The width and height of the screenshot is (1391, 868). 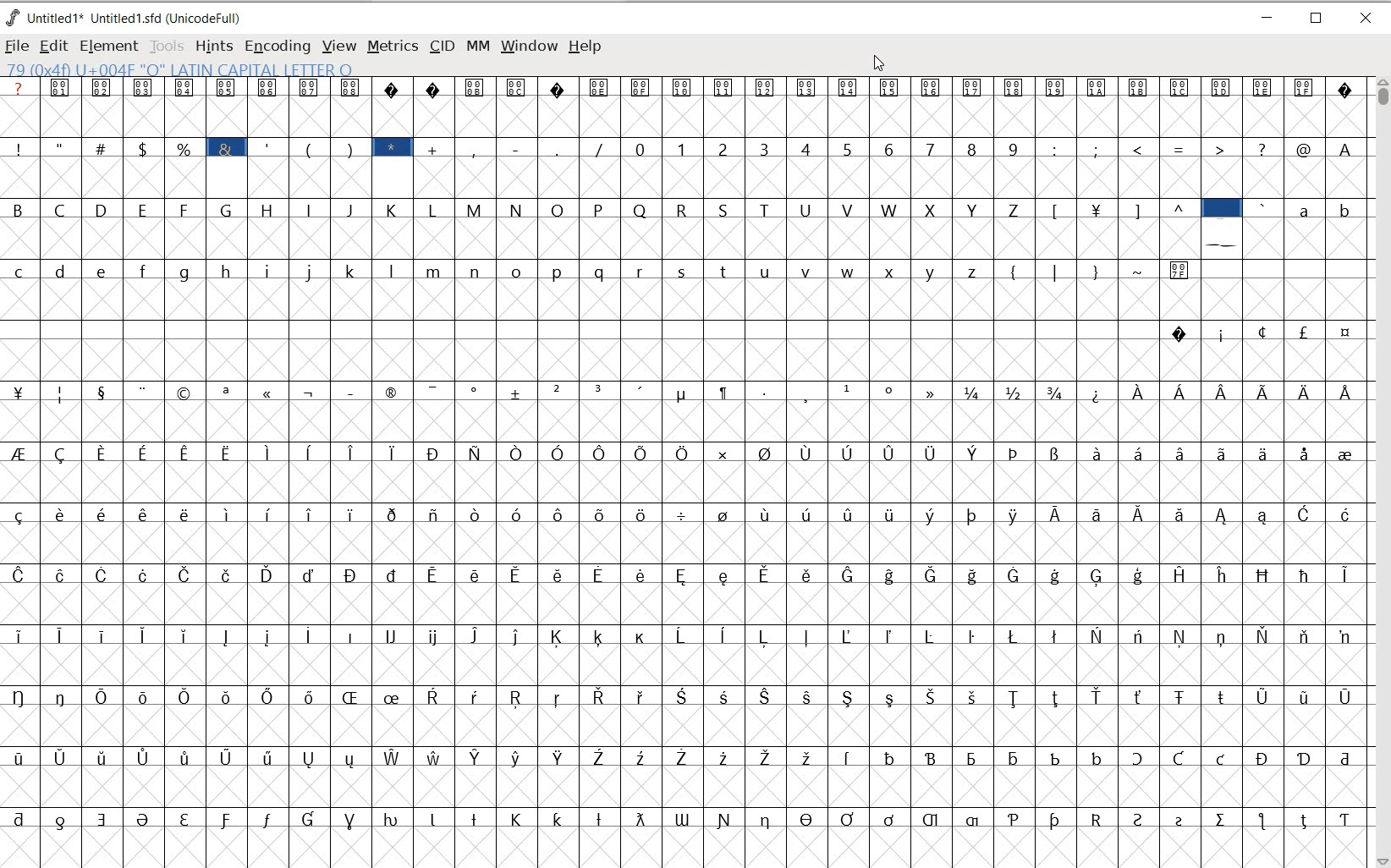 What do you see at coordinates (476, 45) in the screenshot?
I see `MM` at bounding box center [476, 45].